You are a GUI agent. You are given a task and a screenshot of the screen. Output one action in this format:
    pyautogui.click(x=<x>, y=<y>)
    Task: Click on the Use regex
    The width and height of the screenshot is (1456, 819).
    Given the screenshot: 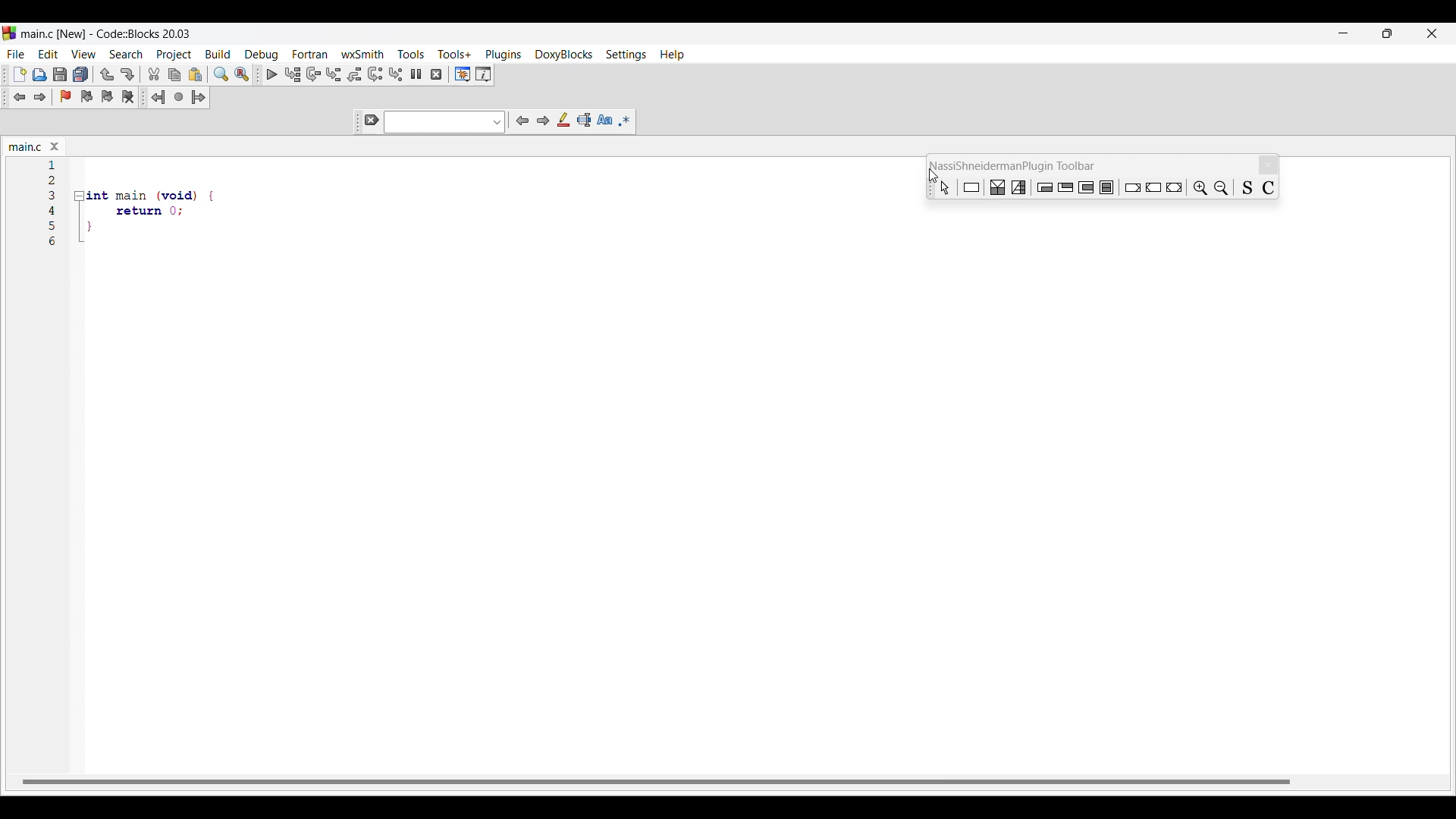 What is the action you would take?
    pyautogui.click(x=625, y=121)
    